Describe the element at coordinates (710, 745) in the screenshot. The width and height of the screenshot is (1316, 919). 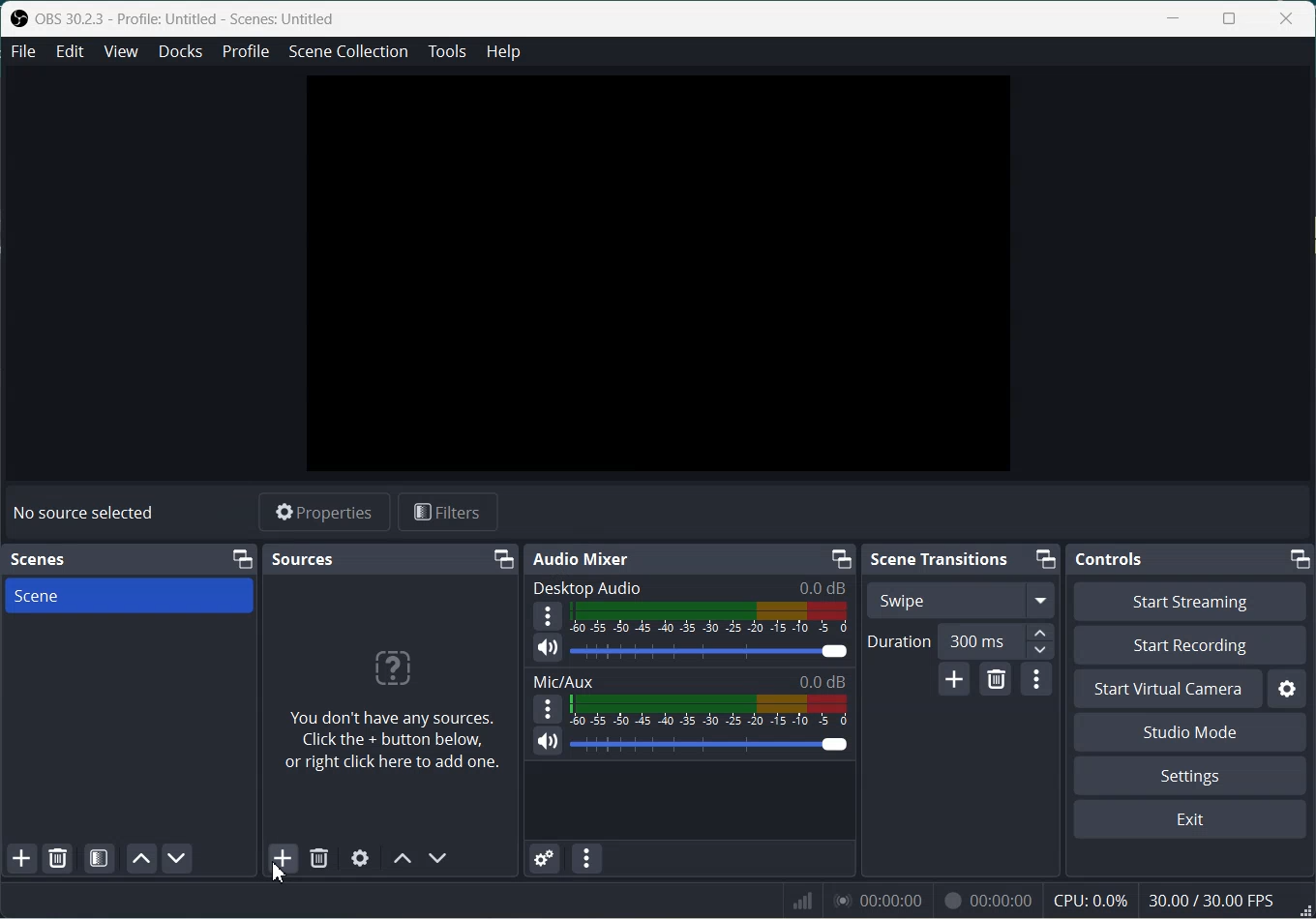
I see `Volume Adjuster` at that location.